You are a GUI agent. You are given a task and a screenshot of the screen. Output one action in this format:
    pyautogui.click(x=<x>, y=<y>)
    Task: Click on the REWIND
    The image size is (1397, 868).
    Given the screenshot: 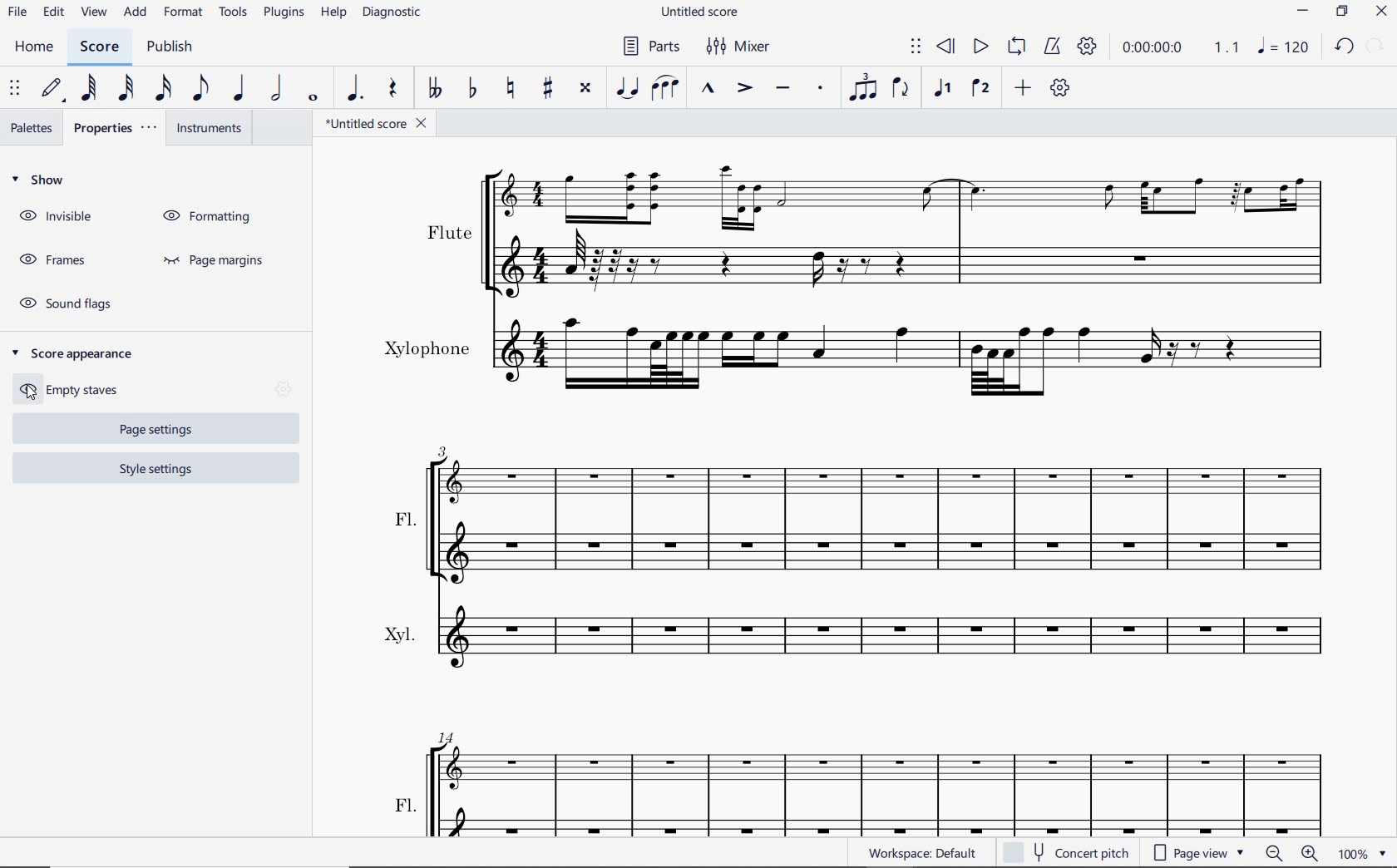 What is the action you would take?
    pyautogui.click(x=945, y=47)
    